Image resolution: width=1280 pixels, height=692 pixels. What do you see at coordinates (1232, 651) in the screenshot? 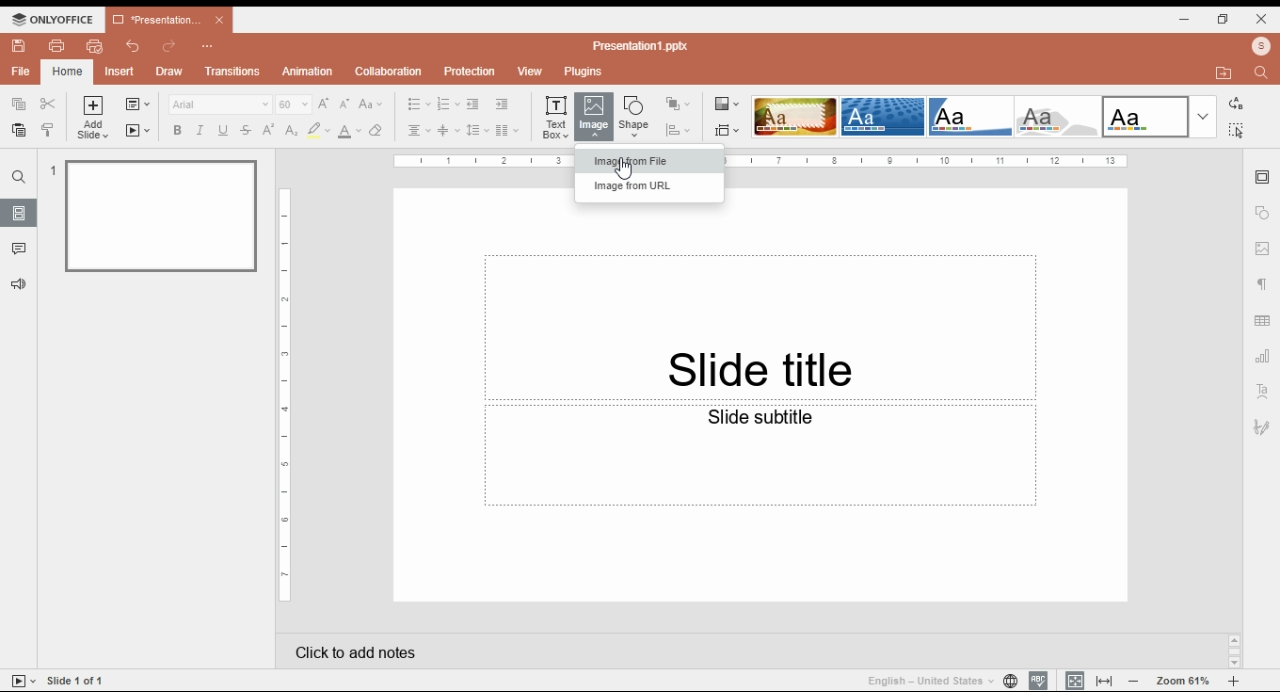
I see `Scrollbar` at bounding box center [1232, 651].